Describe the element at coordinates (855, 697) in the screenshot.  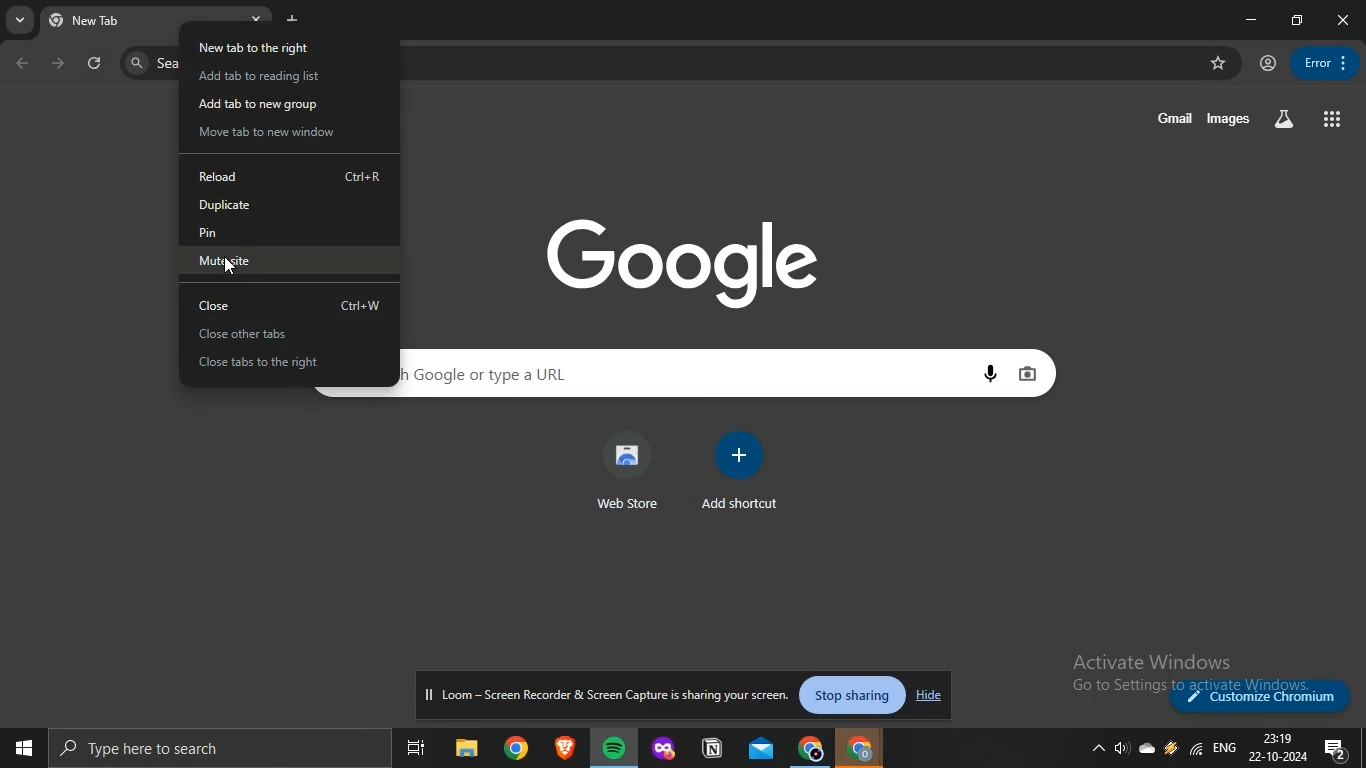
I see `Stop sharing` at that location.